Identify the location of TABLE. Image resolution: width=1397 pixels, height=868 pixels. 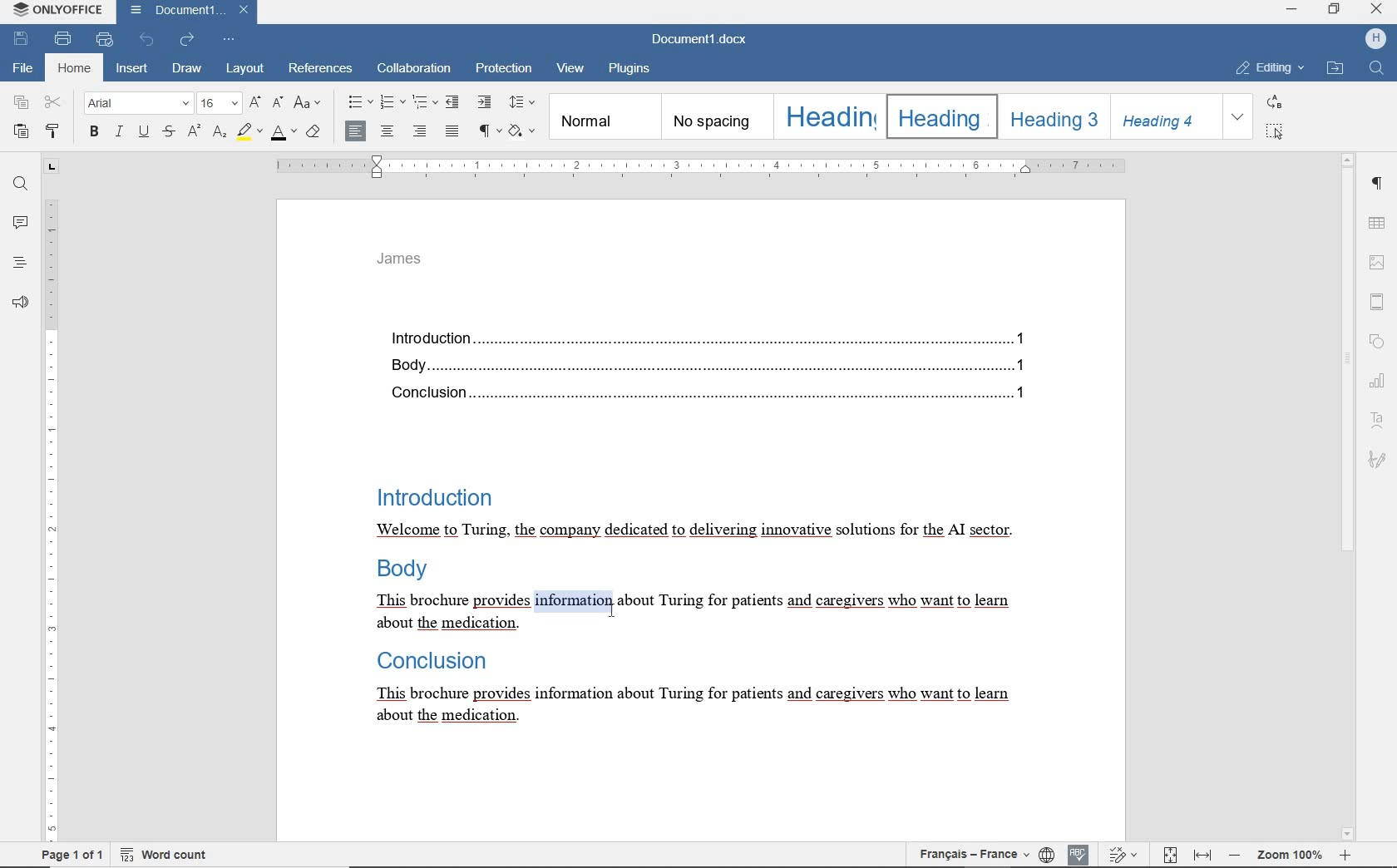
(1379, 221).